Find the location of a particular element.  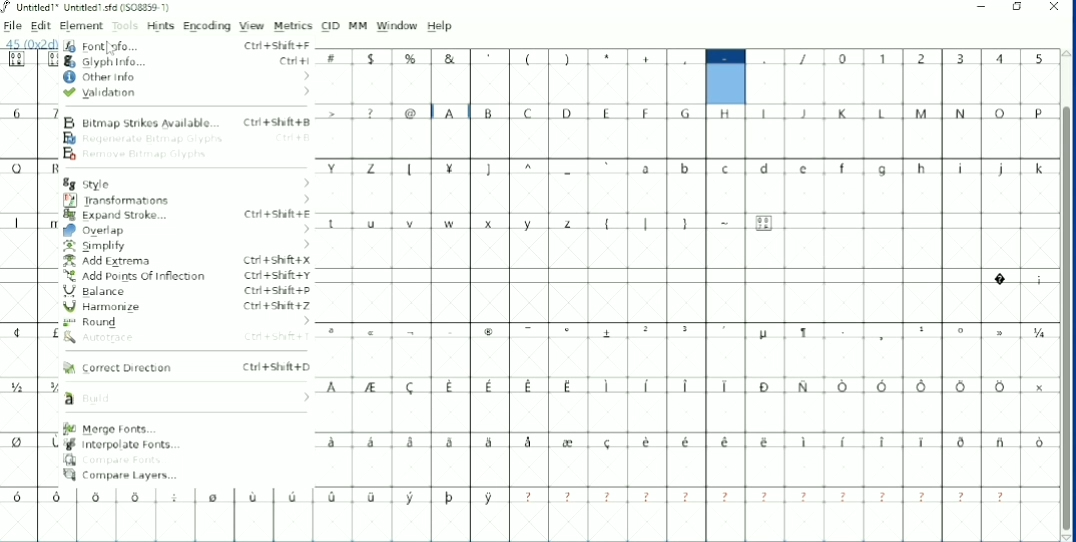

Expand Stroke is located at coordinates (187, 216).